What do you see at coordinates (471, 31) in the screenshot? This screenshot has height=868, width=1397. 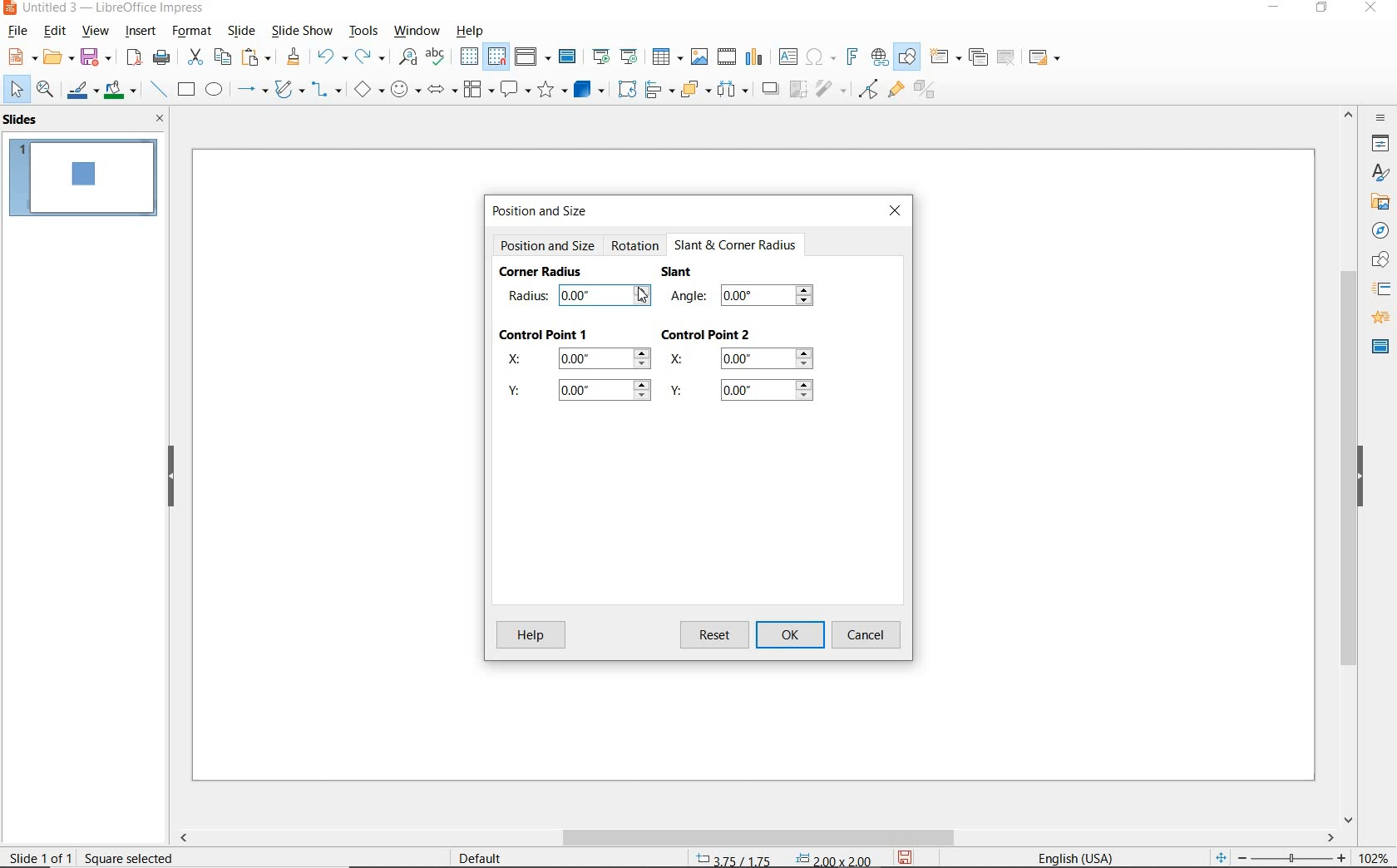 I see `help` at bounding box center [471, 31].